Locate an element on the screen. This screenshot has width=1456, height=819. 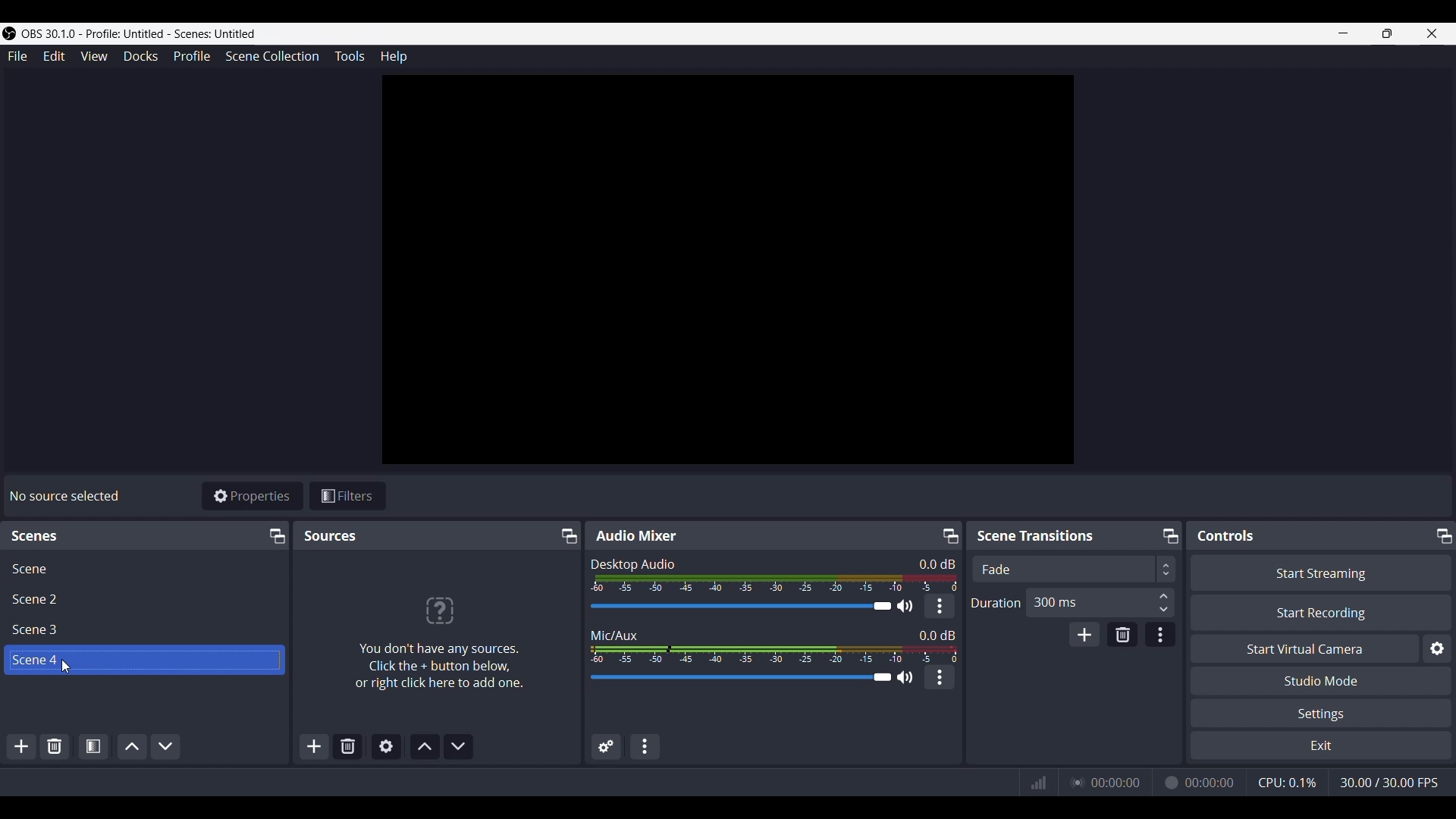
Move scene down is located at coordinates (166, 745).